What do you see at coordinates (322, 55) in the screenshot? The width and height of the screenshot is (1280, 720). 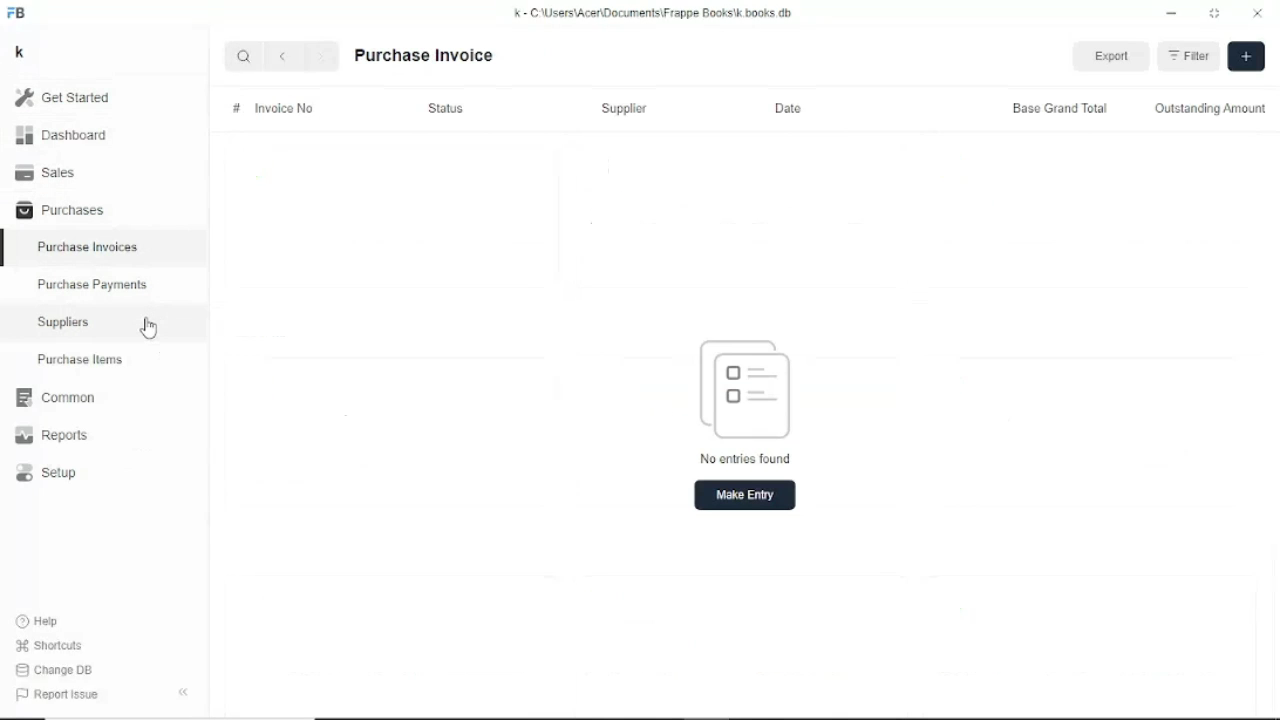 I see `Forward` at bounding box center [322, 55].